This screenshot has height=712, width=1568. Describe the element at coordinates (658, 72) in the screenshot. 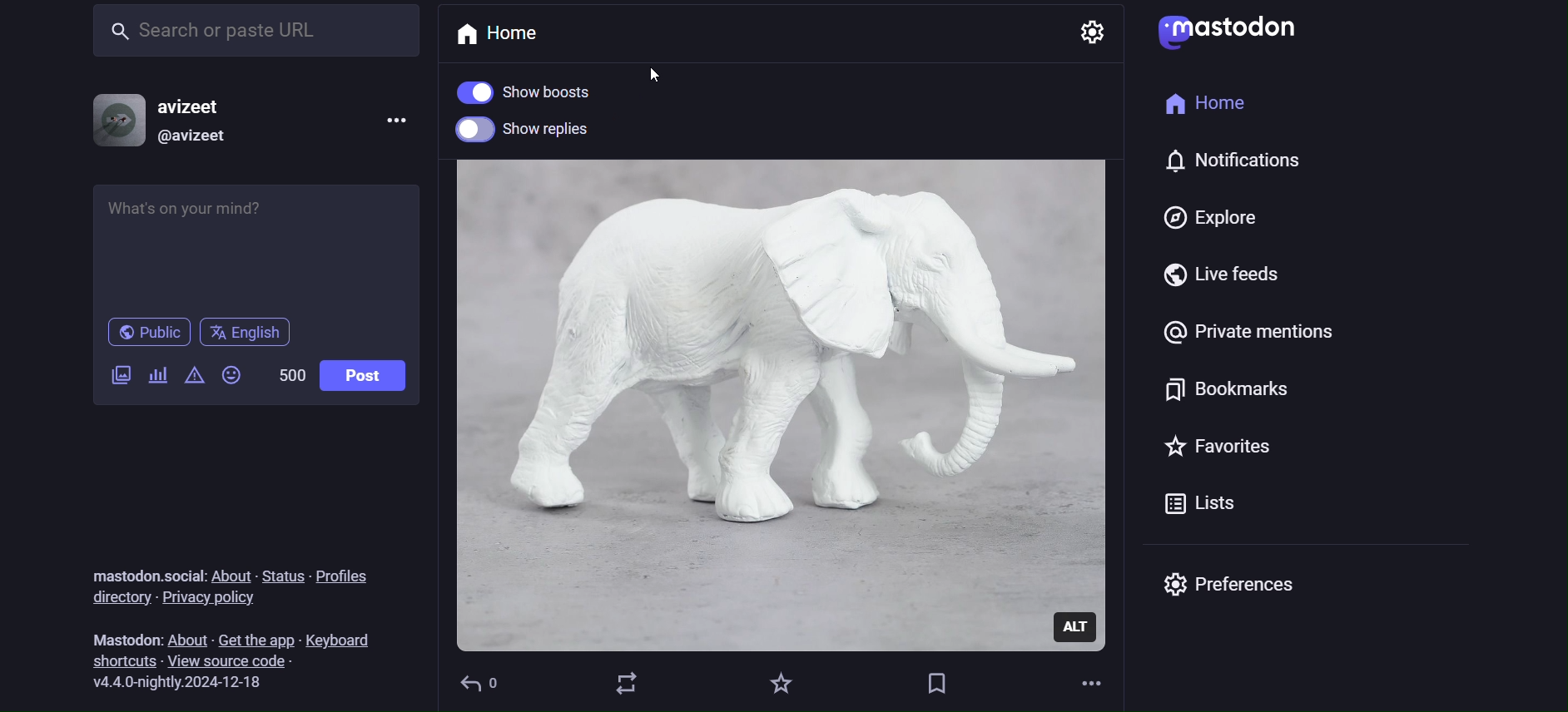

I see `Cursor` at that location.